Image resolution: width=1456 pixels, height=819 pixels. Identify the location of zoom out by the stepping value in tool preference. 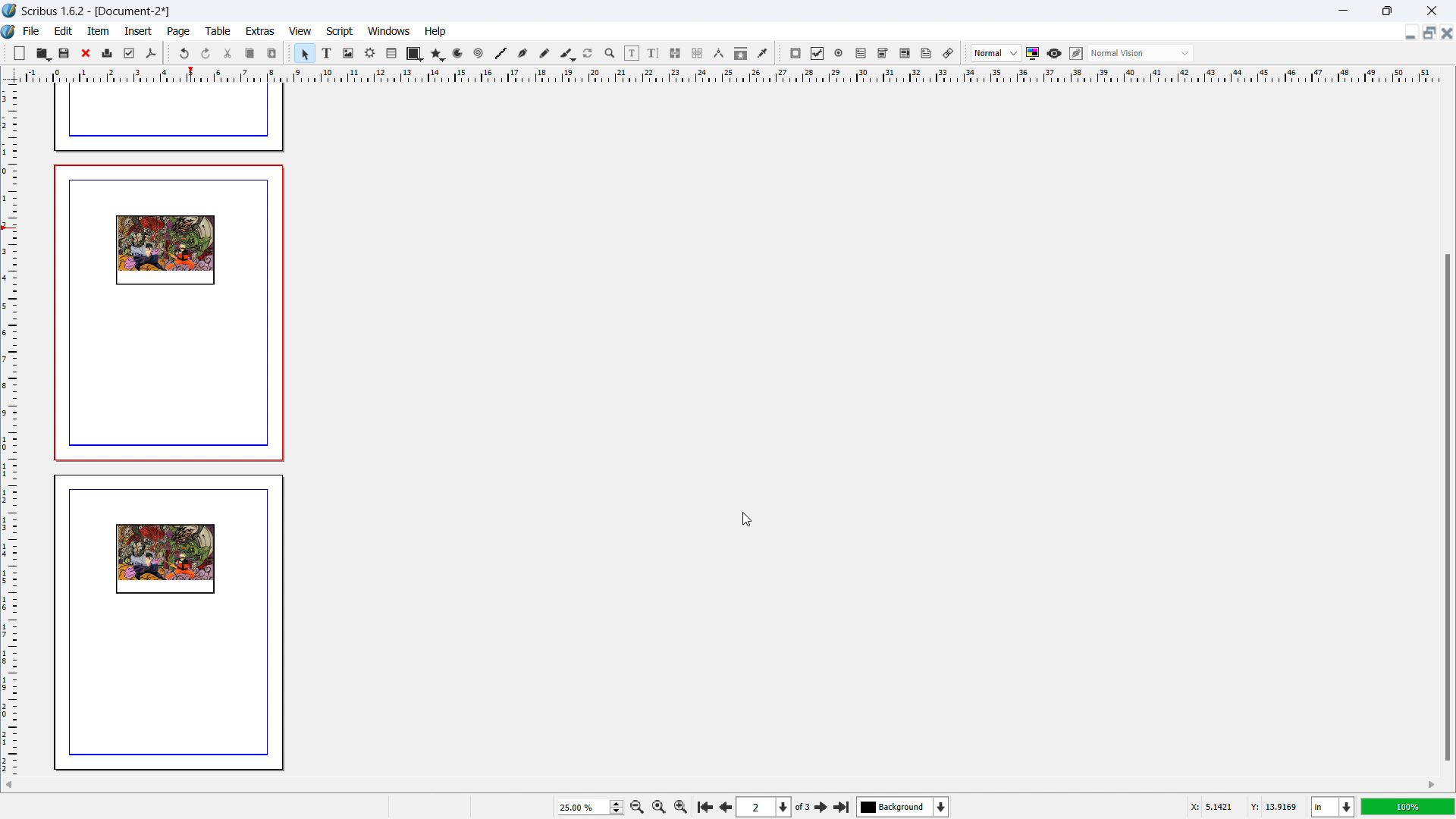
(636, 806).